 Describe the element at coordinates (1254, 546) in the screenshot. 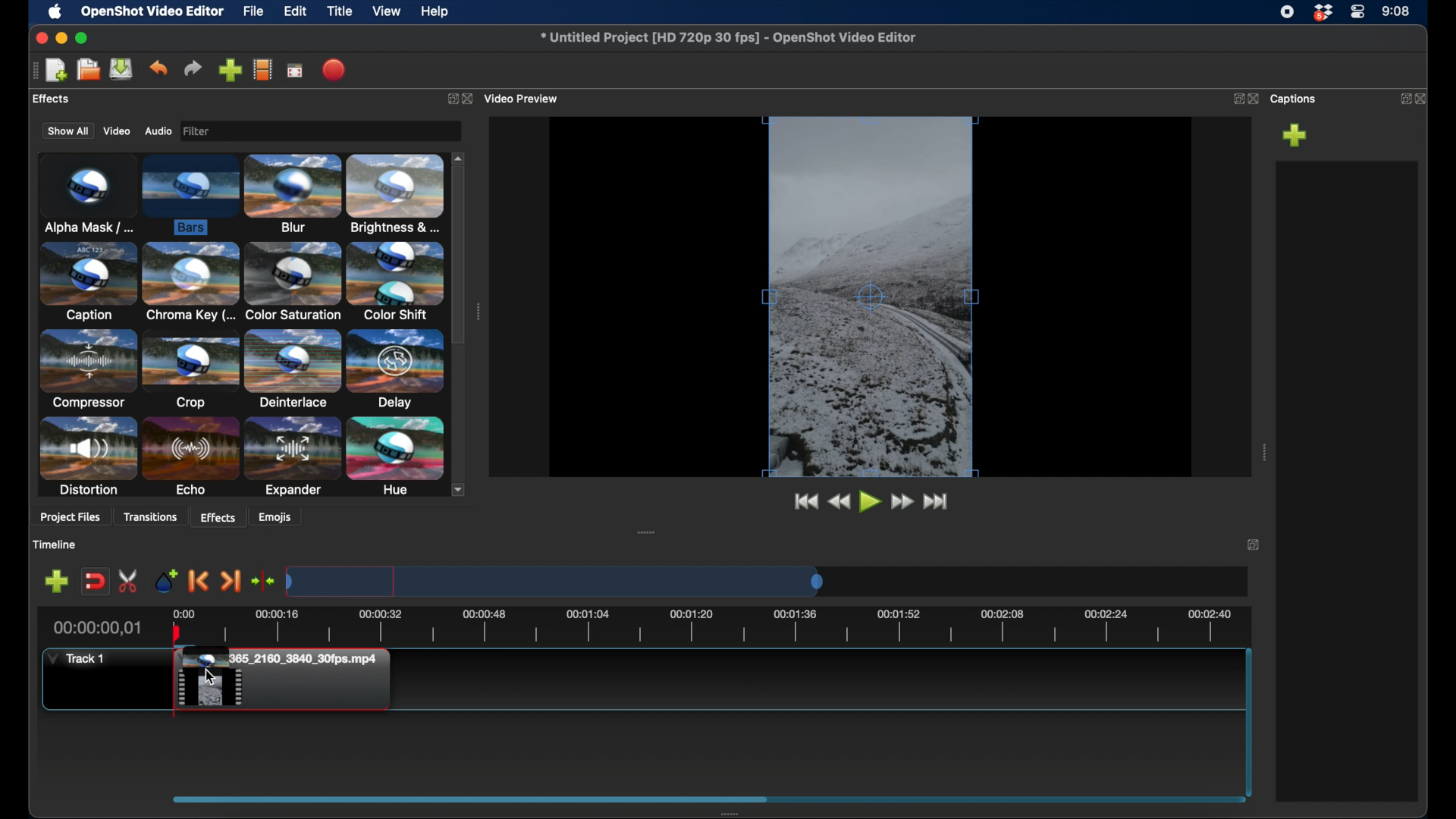

I see `expand` at that location.